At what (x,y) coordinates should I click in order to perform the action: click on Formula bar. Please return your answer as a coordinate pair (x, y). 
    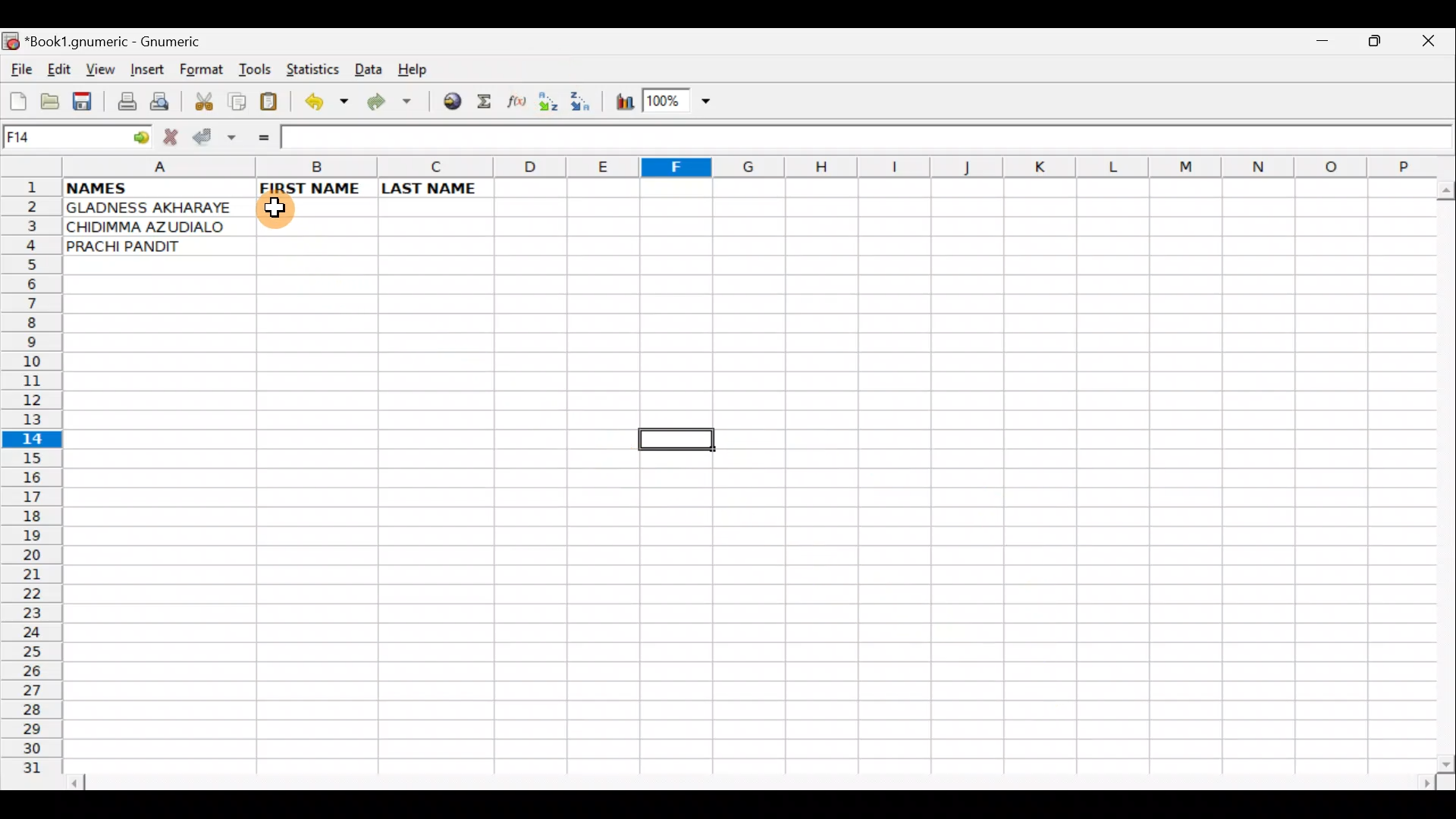
    Looking at the image, I should click on (869, 137).